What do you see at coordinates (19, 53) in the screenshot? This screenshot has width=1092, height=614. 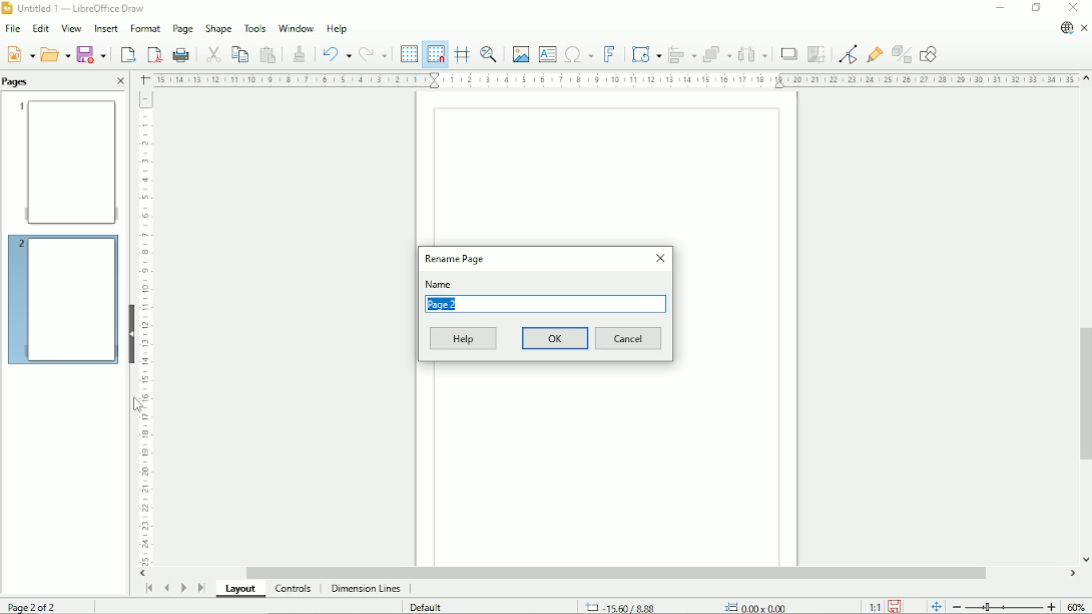 I see `New` at bounding box center [19, 53].